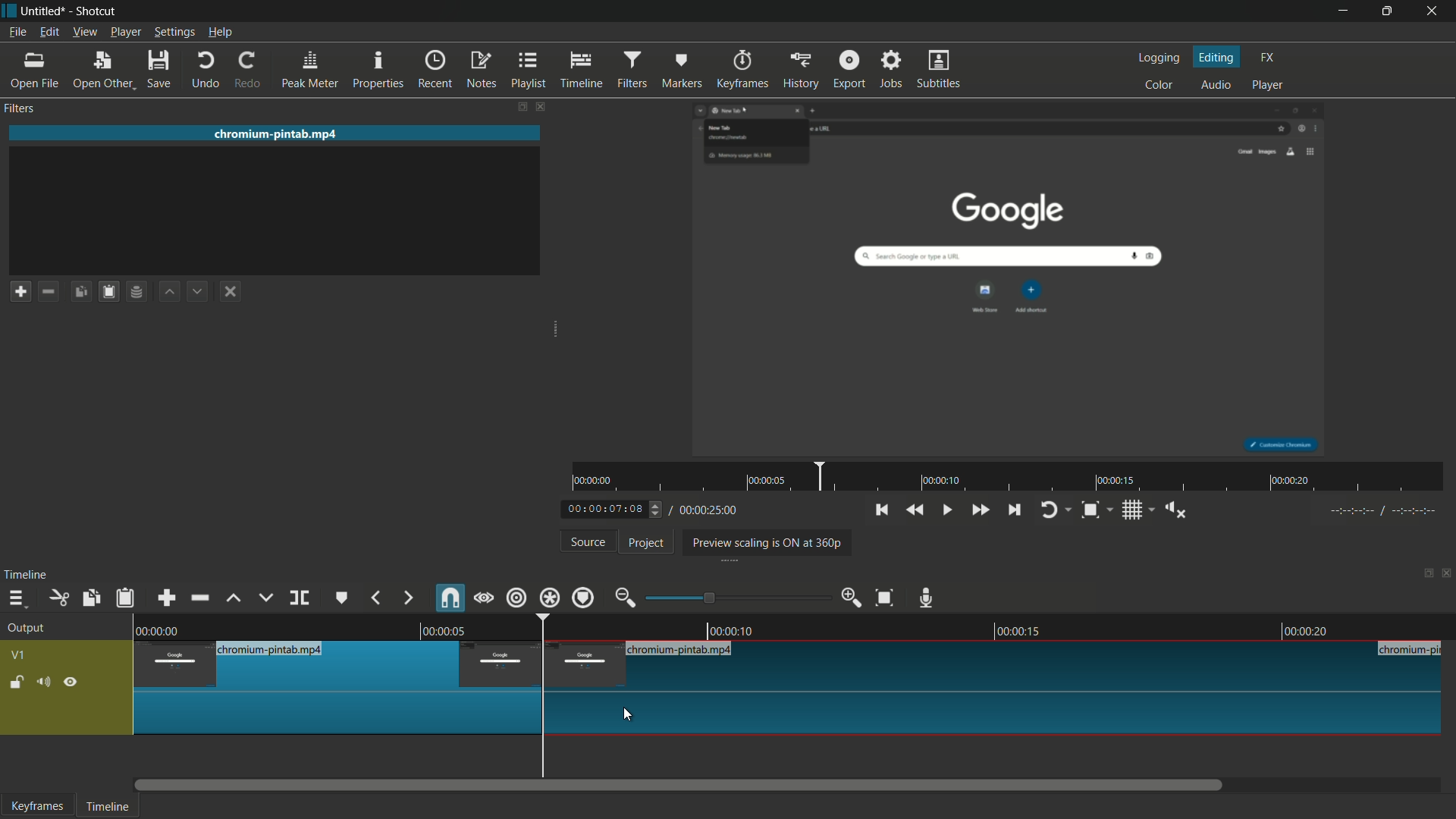  What do you see at coordinates (1268, 83) in the screenshot?
I see `player` at bounding box center [1268, 83].